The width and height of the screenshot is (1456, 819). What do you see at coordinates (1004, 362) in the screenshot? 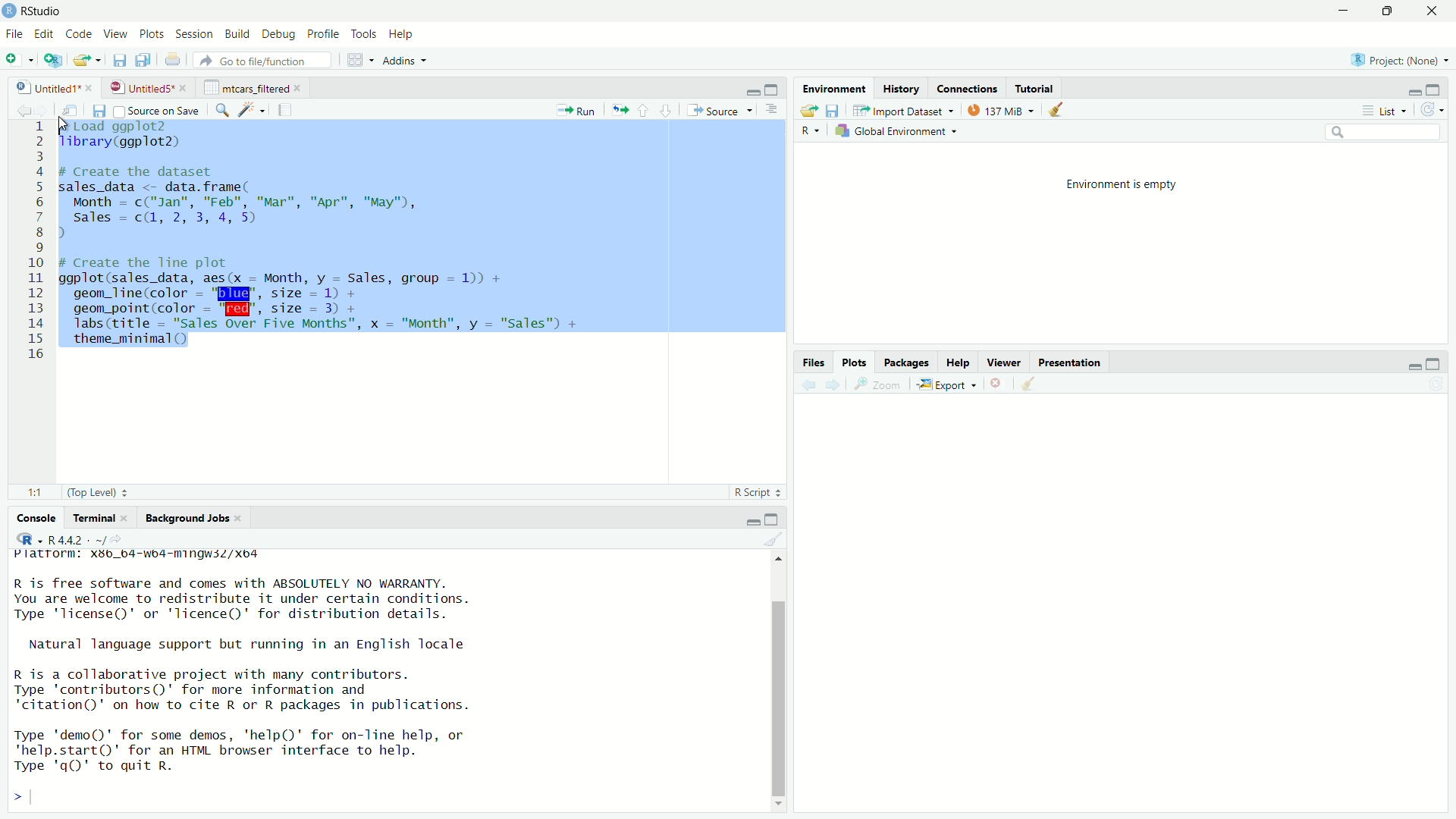
I see `viewer` at bounding box center [1004, 362].